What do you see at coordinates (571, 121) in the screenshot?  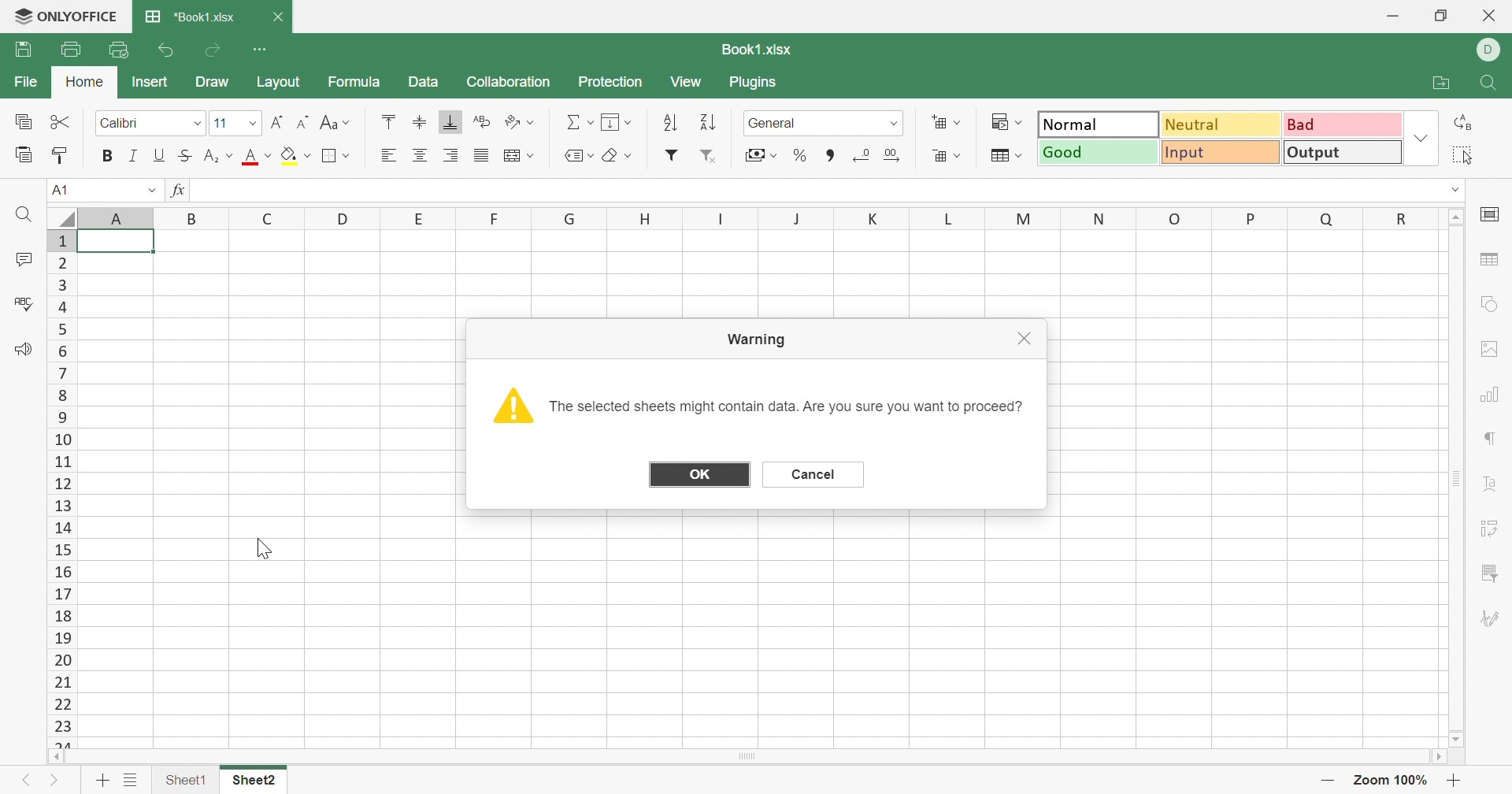 I see `Summation` at bounding box center [571, 121].